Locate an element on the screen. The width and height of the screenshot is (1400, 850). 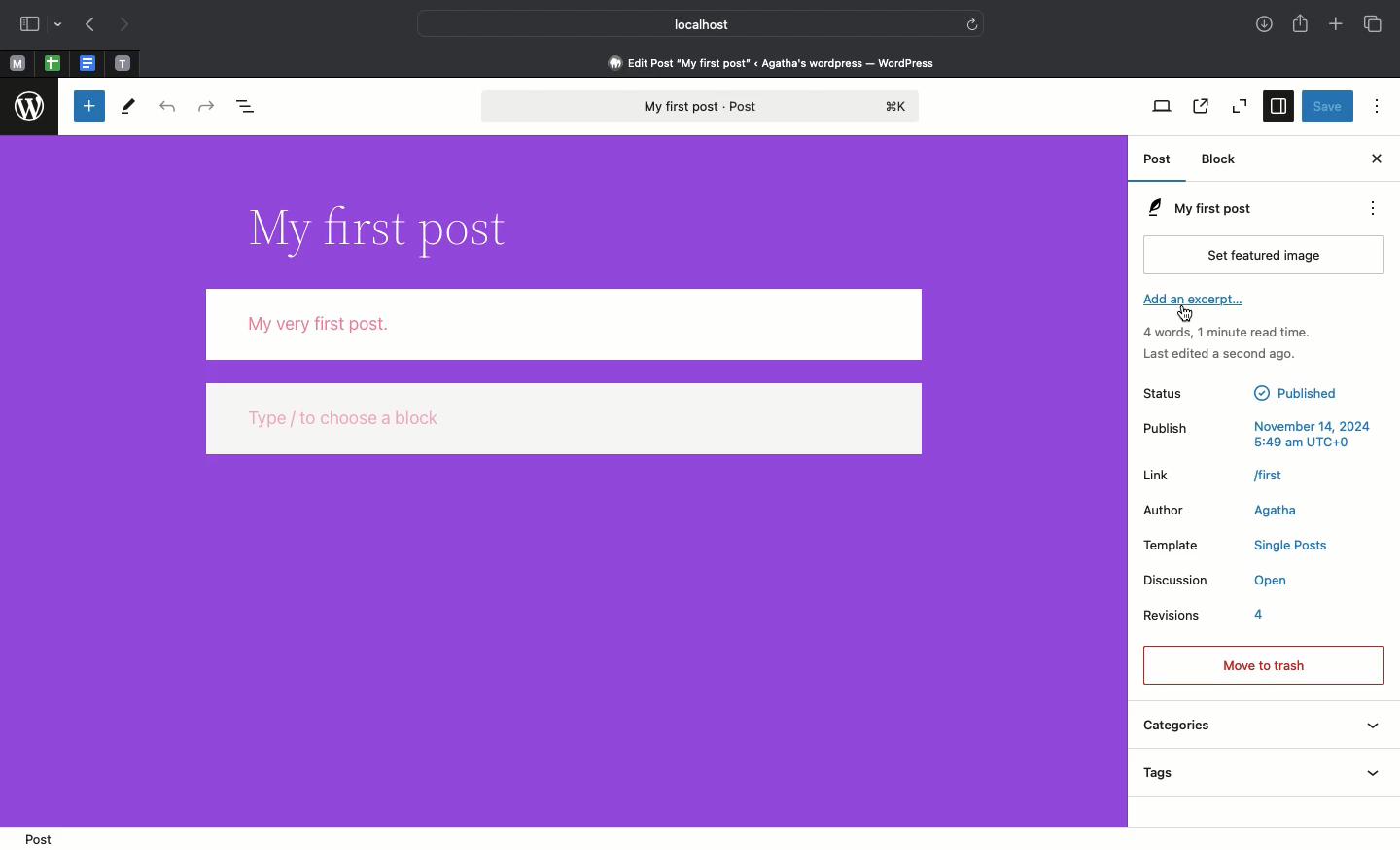
Add an excerpt is located at coordinates (1195, 303).